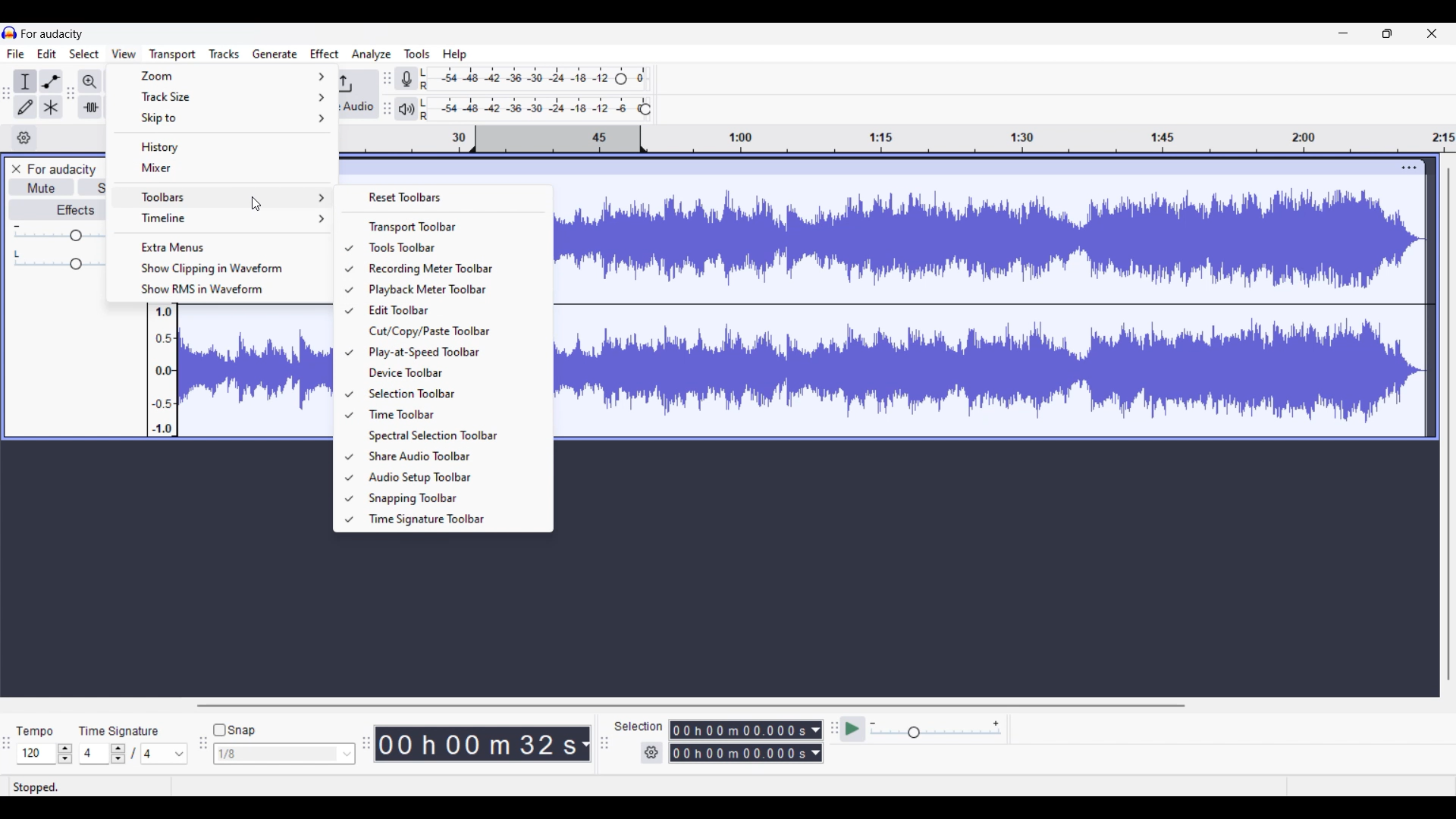 The height and width of the screenshot is (819, 1456). What do you see at coordinates (452, 353) in the screenshot?
I see `Play at speed toolbar` at bounding box center [452, 353].